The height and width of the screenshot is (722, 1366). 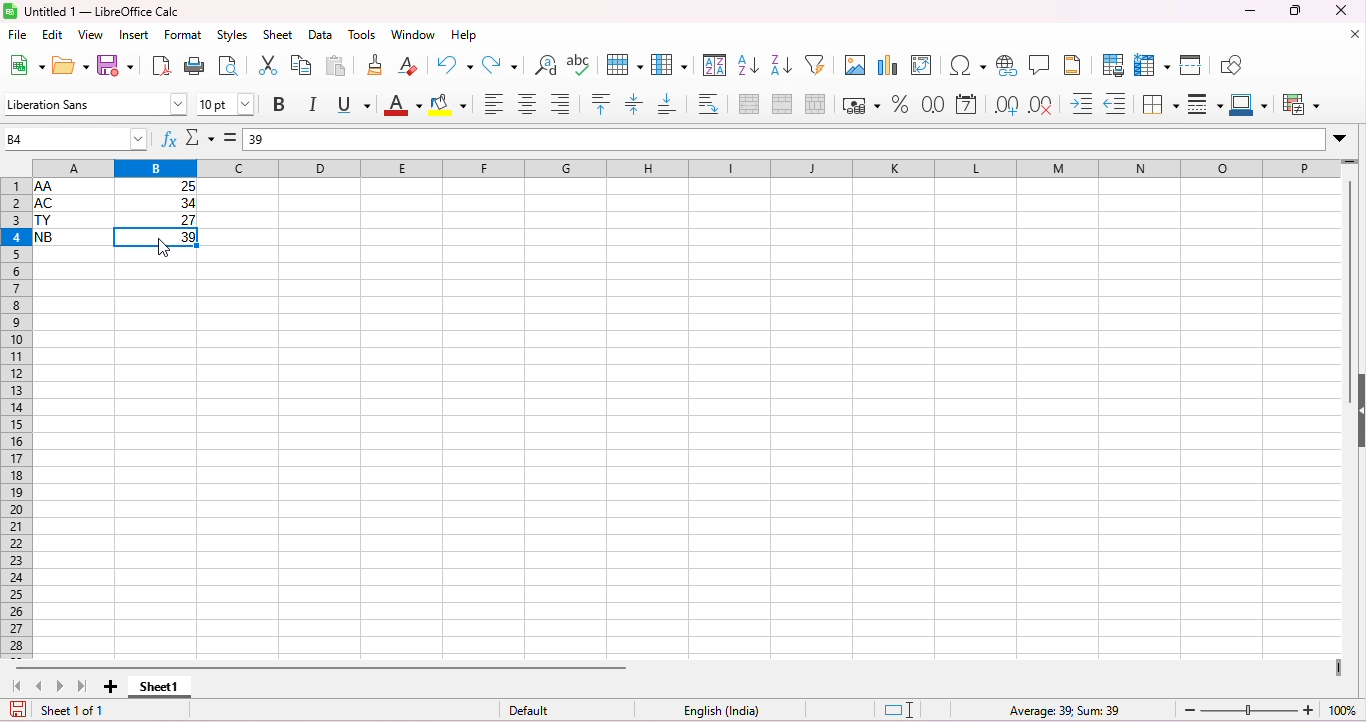 I want to click on new, so click(x=26, y=64).